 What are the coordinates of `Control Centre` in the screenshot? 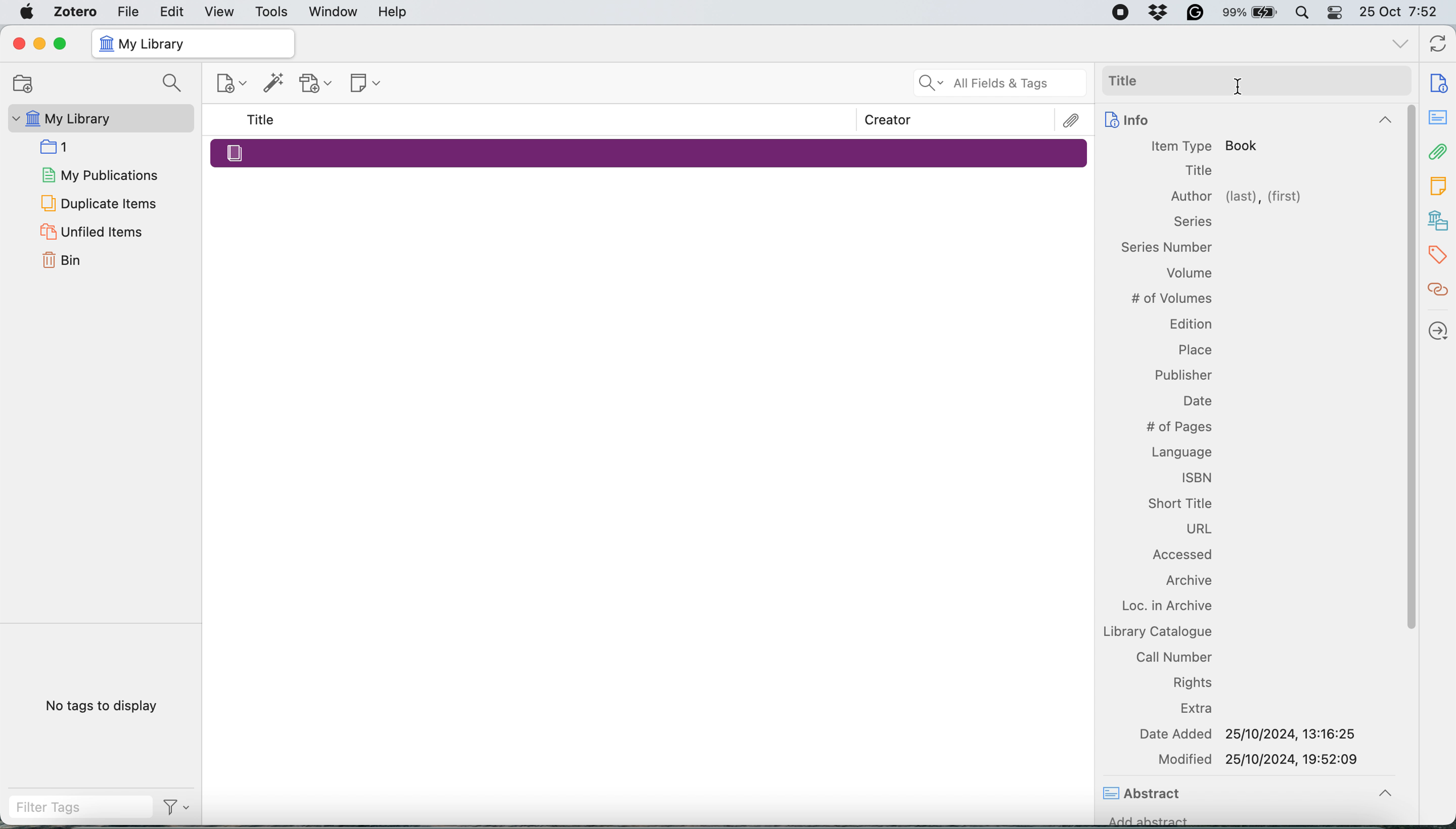 It's located at (1336, 12).